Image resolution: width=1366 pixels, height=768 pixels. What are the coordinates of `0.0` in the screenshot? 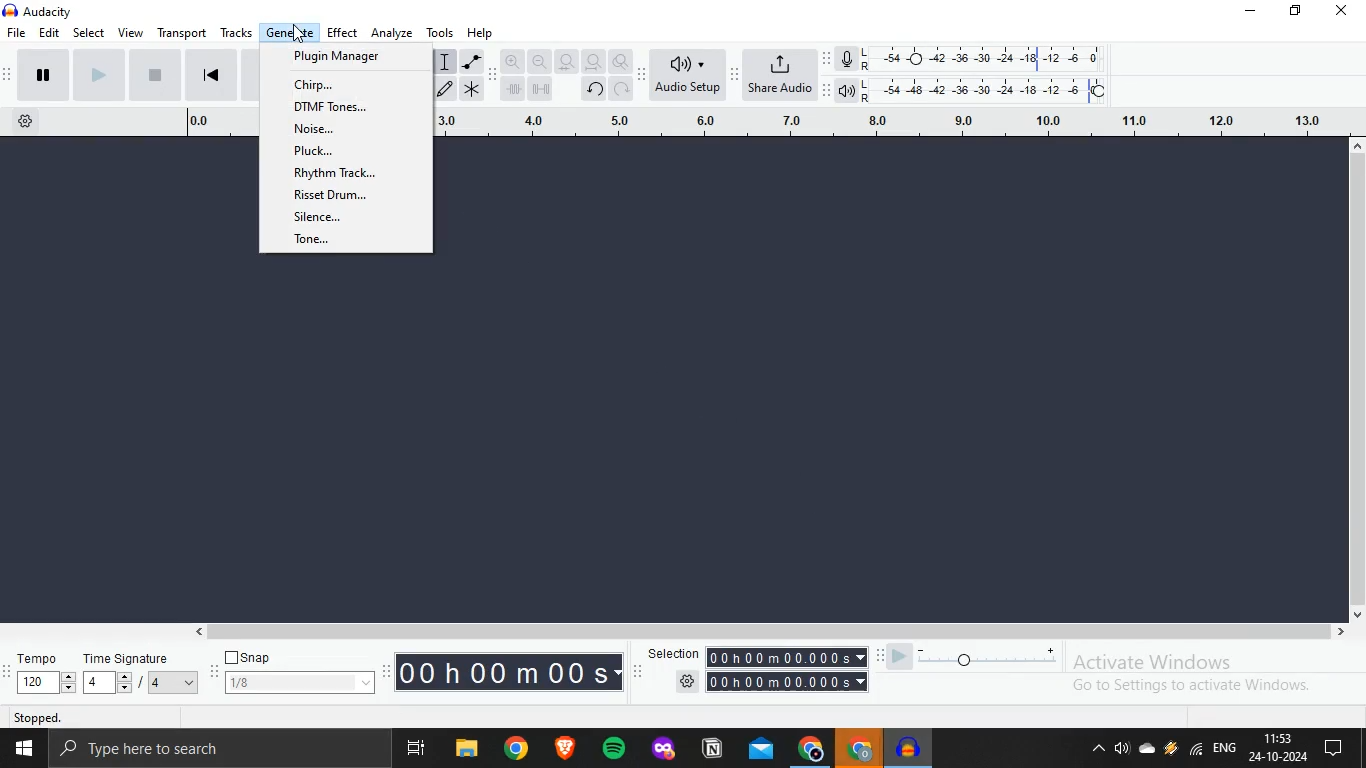 It's located at (214, 125).